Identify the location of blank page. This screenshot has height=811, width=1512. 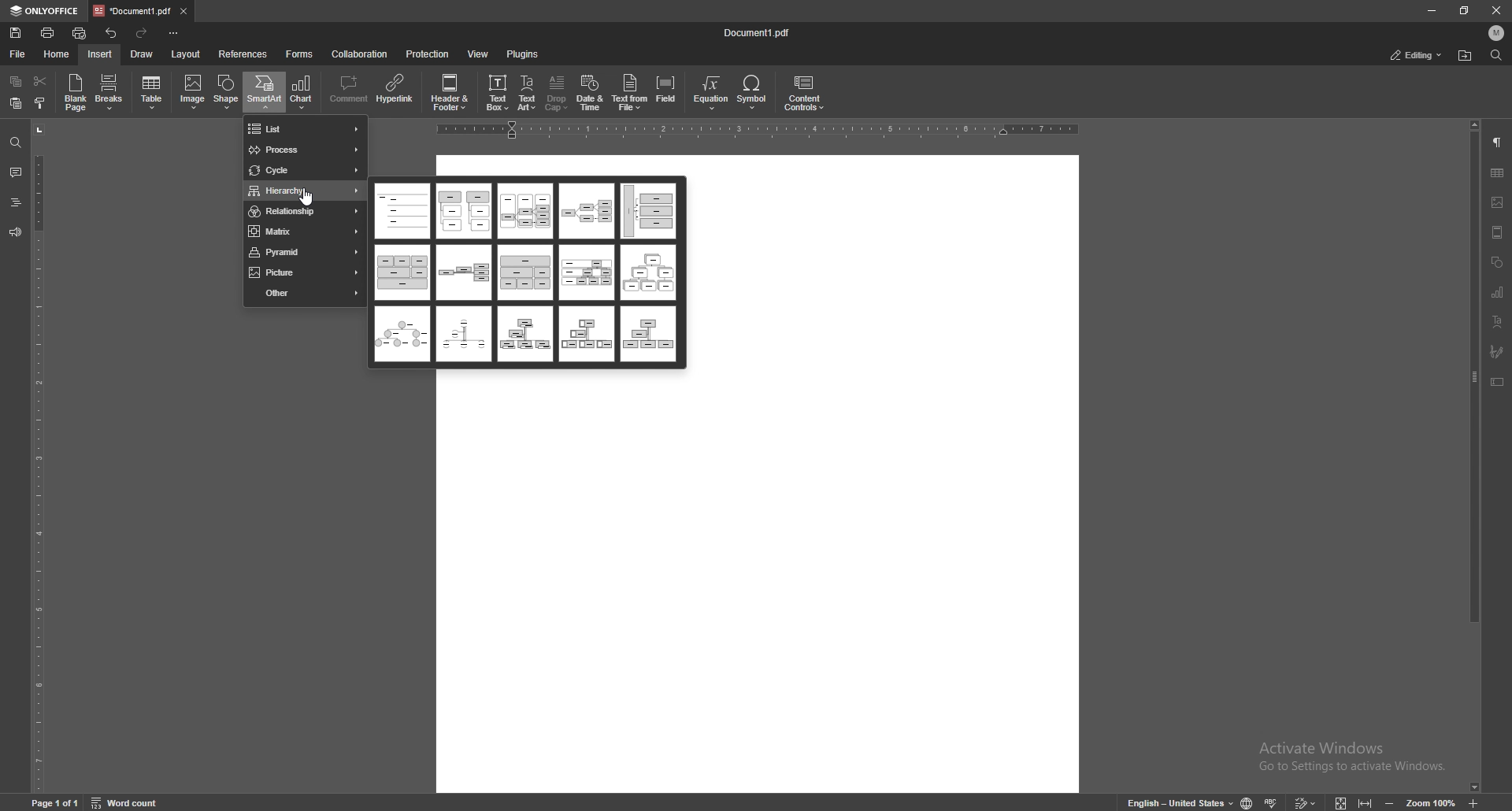
(76, 92).